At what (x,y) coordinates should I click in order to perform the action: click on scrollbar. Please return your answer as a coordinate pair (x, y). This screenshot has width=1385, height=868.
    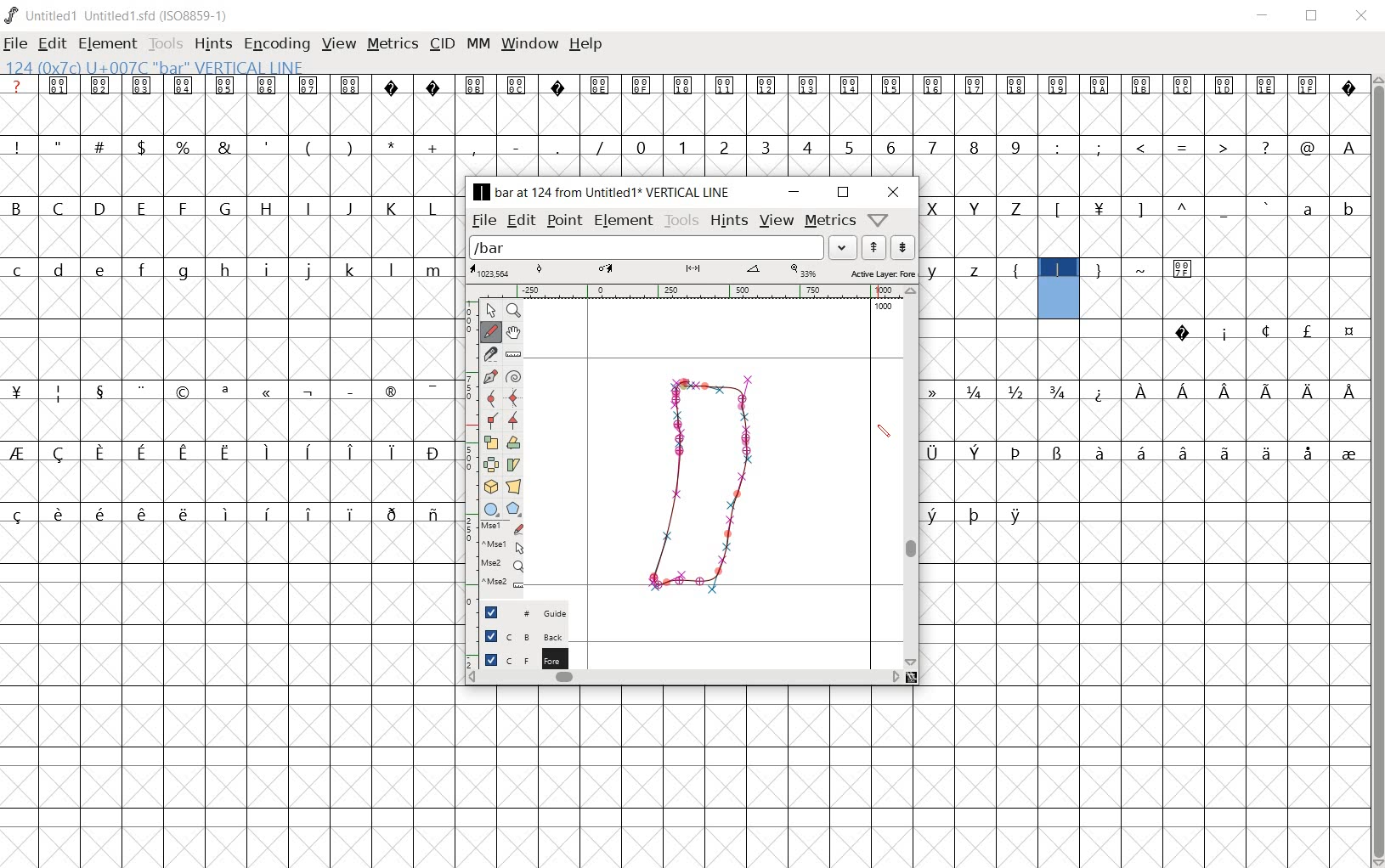
    Looking at the image, I should click on (1377, 471).